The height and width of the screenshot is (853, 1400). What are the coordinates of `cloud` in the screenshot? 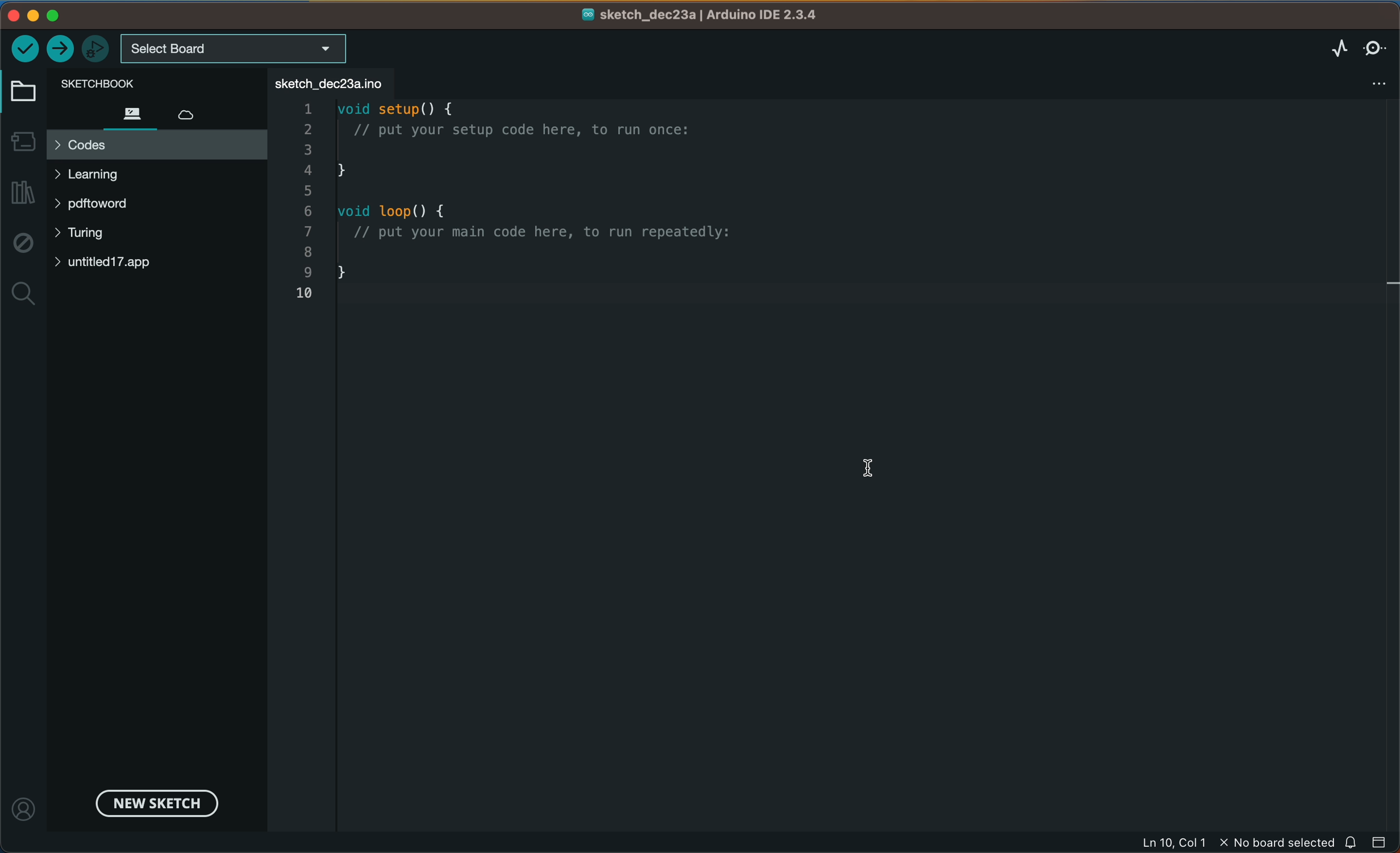 It's located at (194, 112).